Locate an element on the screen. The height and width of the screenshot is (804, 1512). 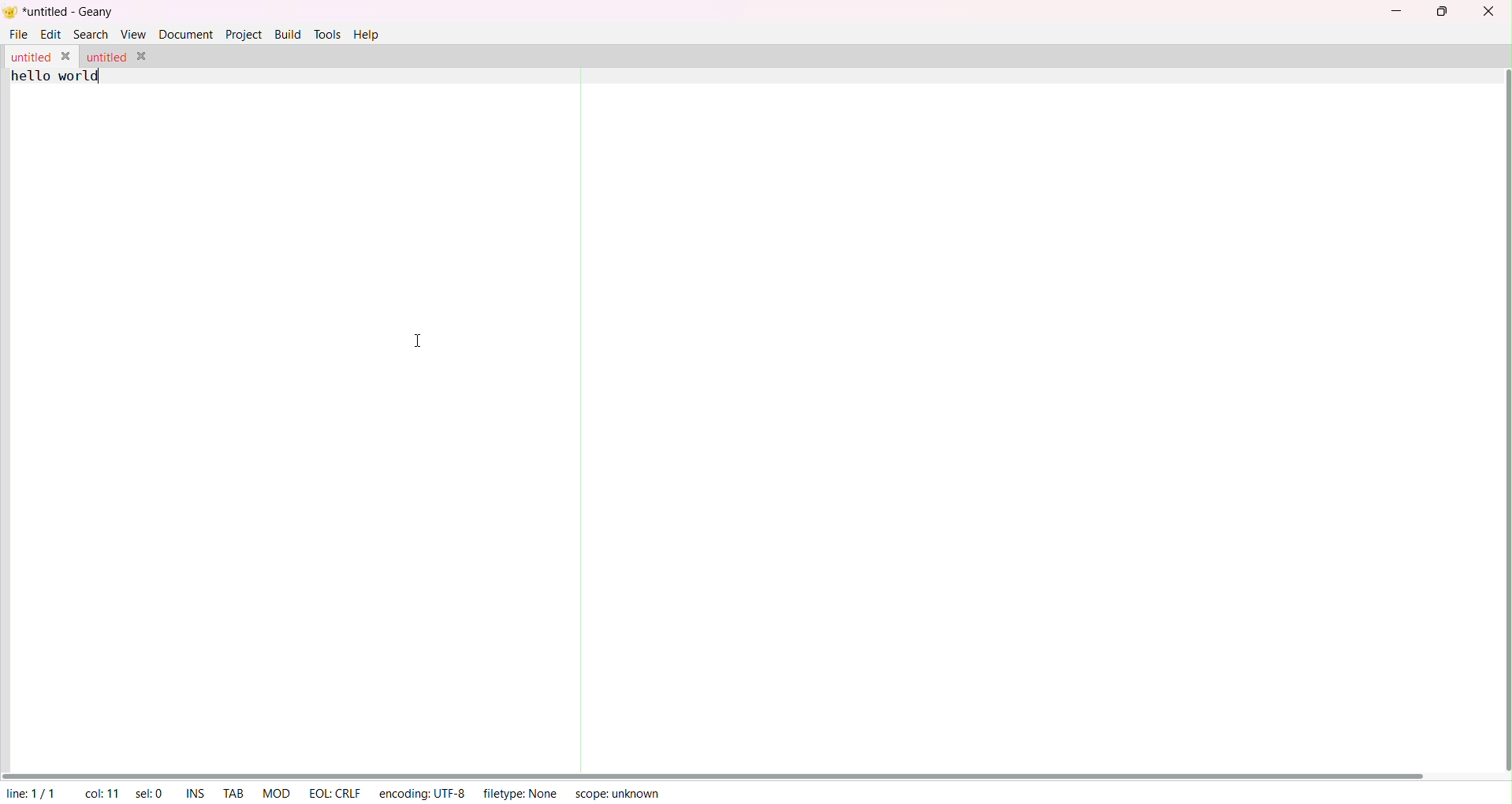
file is located at coordinates (20, 34).